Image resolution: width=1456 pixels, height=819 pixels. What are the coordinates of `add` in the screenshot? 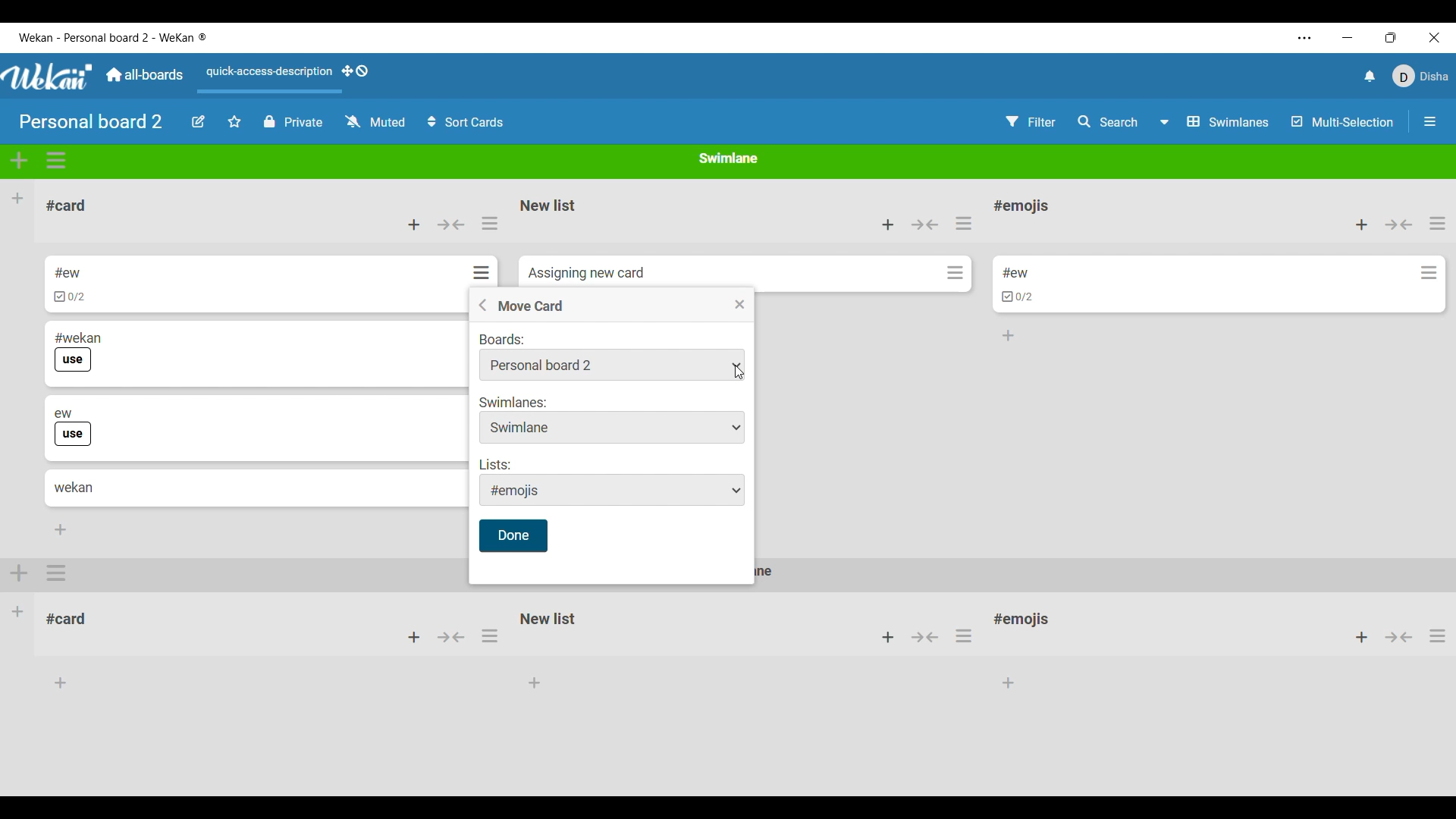 It's located at (20, 571).